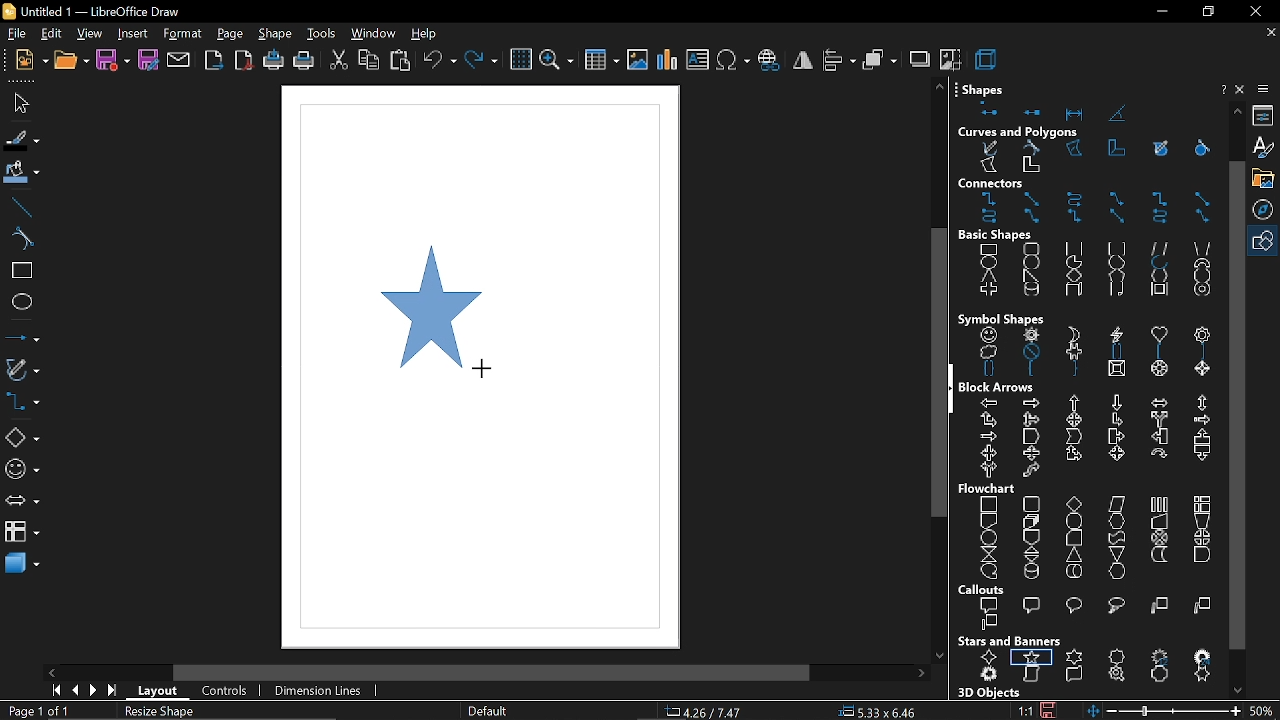 Image resolution: width=1280 pixels, height=720 pixels. Describe the element at coordinates (1266, 89) in the screenshot. I see `sidebar options` at that location.